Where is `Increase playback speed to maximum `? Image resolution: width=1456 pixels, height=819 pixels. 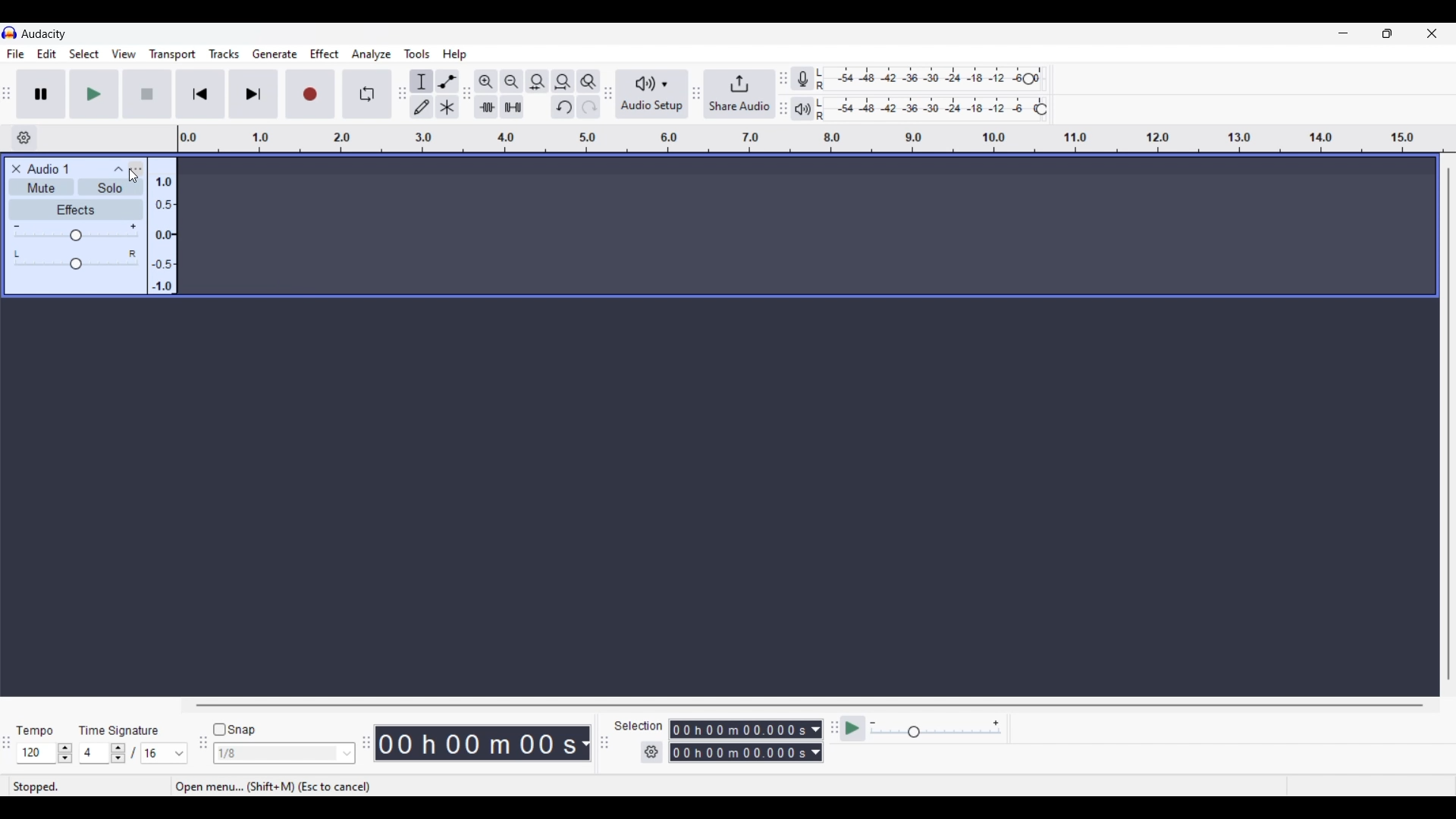 Increase playback speed to maximum  is located at coordinates (996, 723).